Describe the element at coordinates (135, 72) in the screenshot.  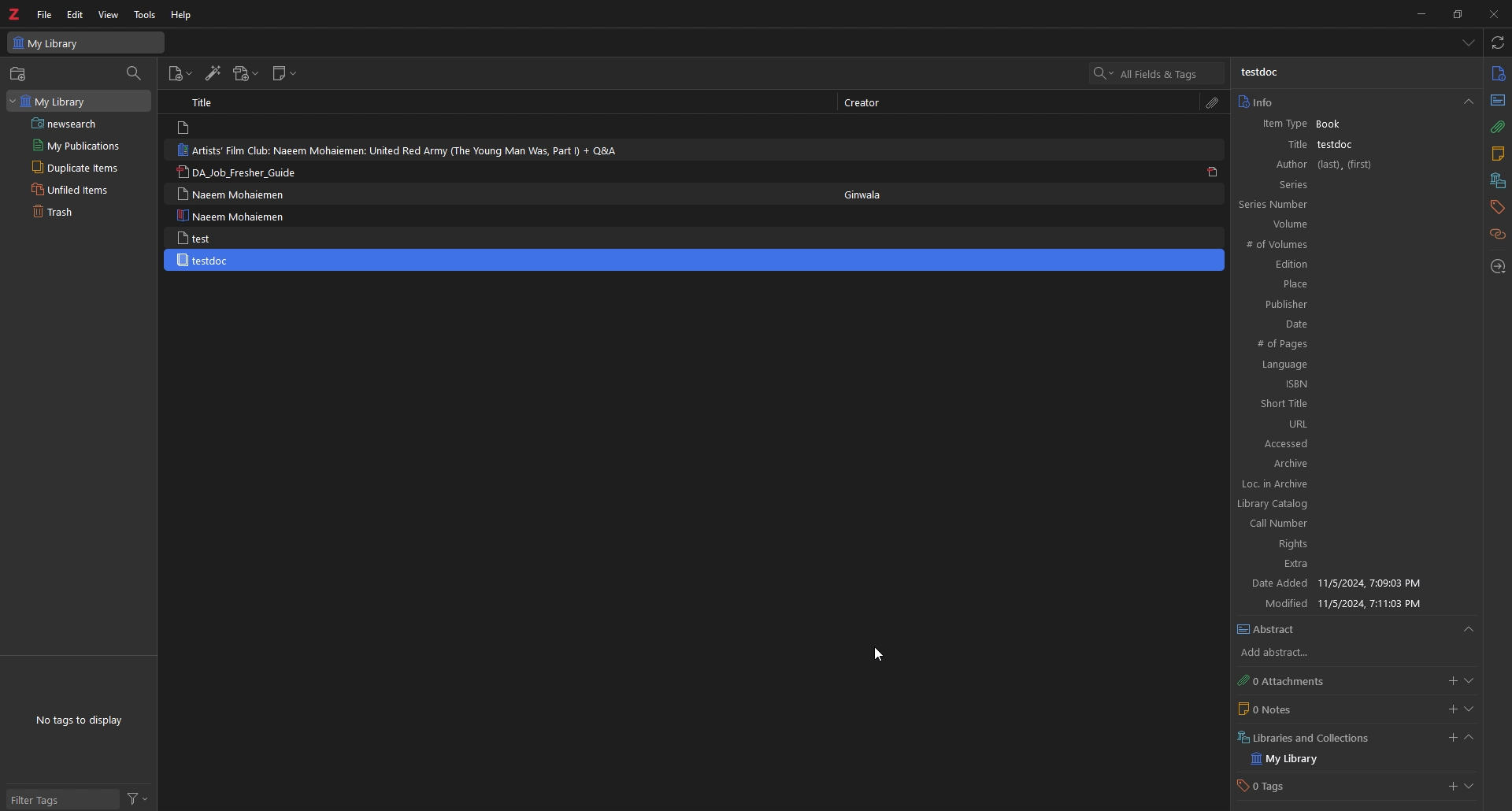
I see `filter items` at that location.